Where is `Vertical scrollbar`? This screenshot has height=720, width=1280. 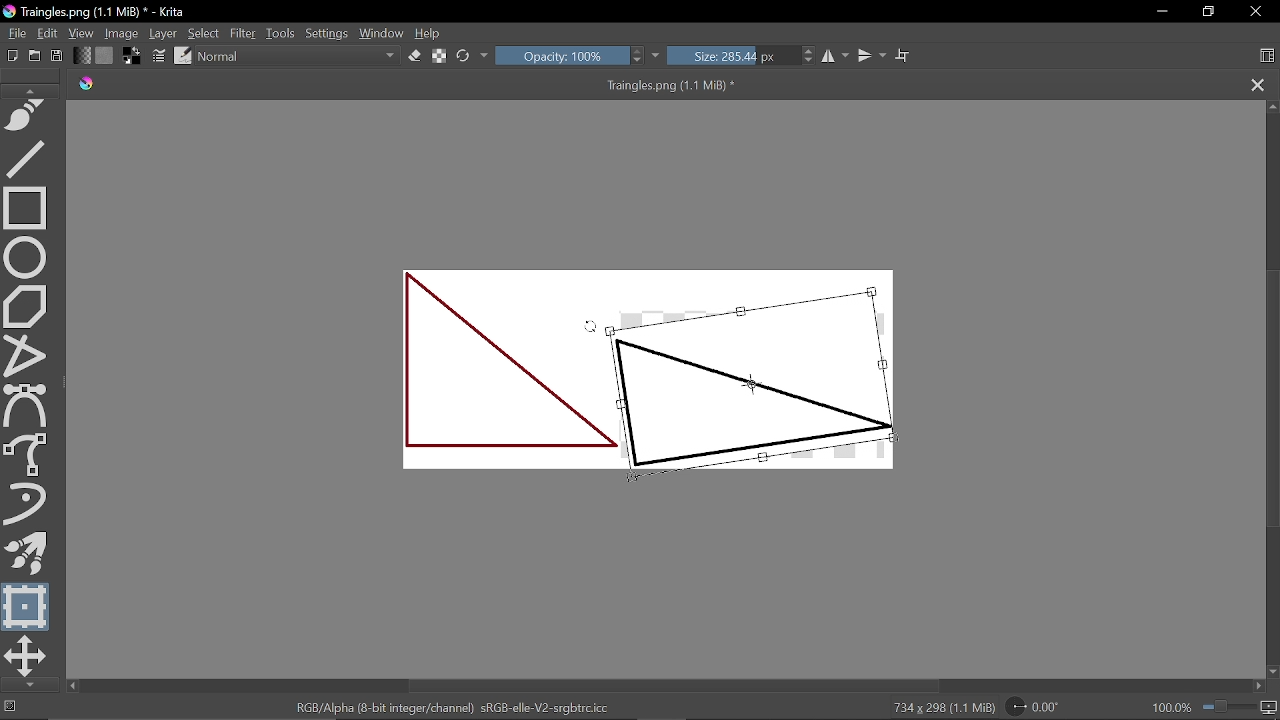 Vertical scrollbar is located at coordinates (1271, 396).